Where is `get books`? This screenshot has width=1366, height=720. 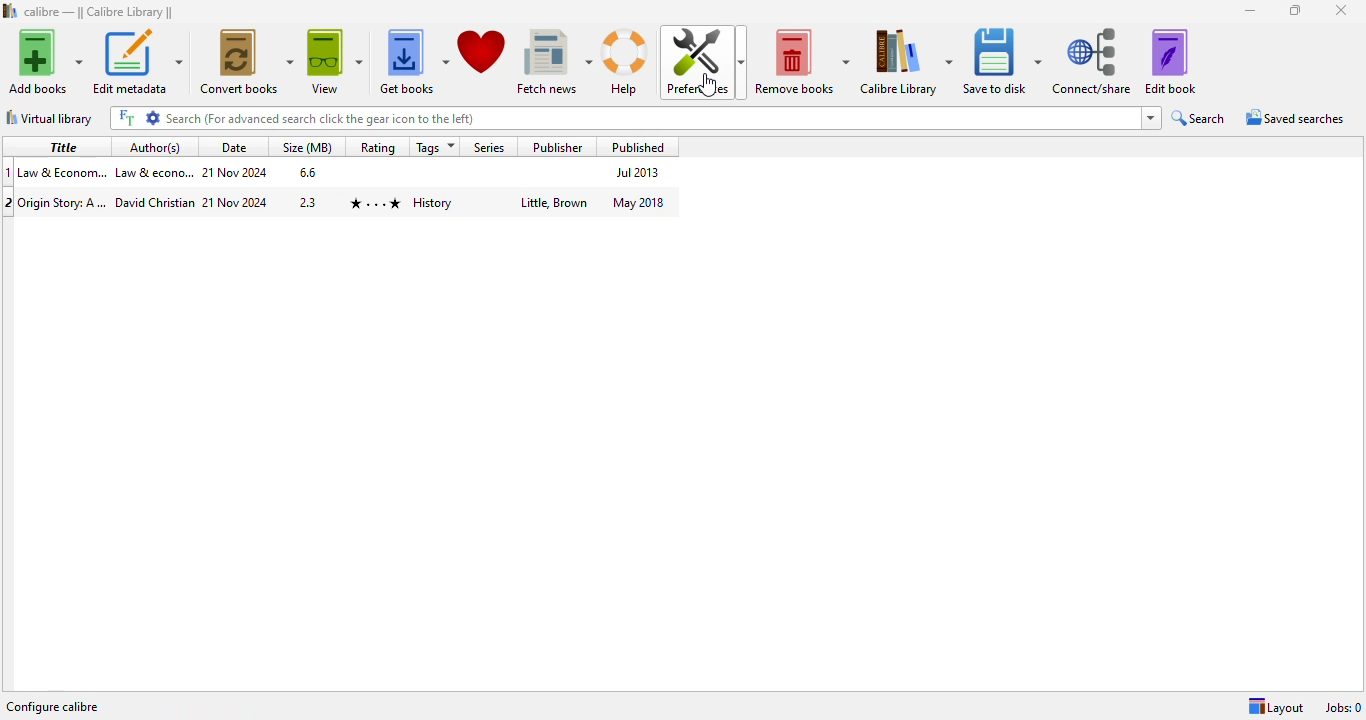
get books is located at coordinates (414, 62).